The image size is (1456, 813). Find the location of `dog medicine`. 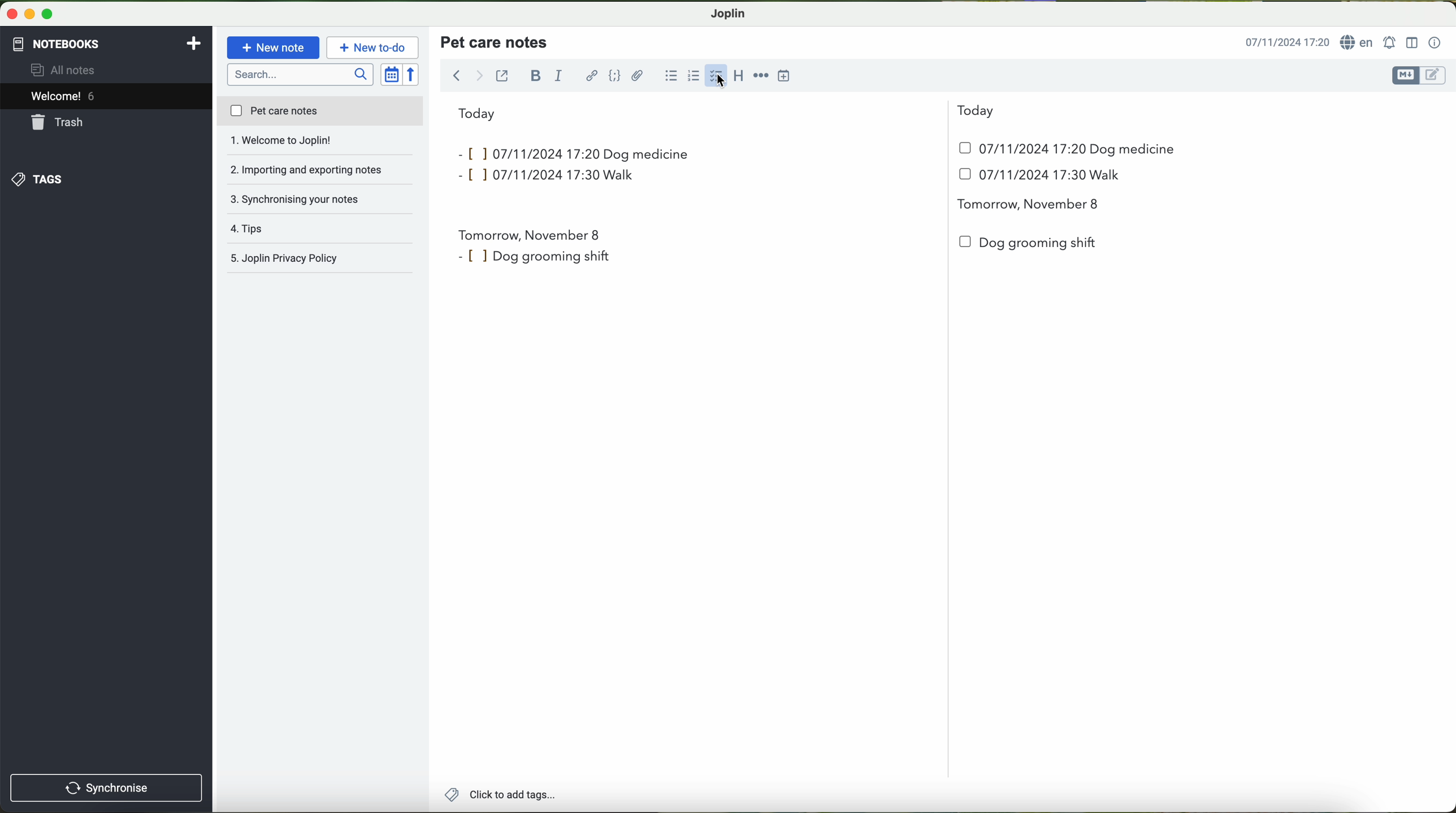

dog medicine is located at coordinates (647, 154).